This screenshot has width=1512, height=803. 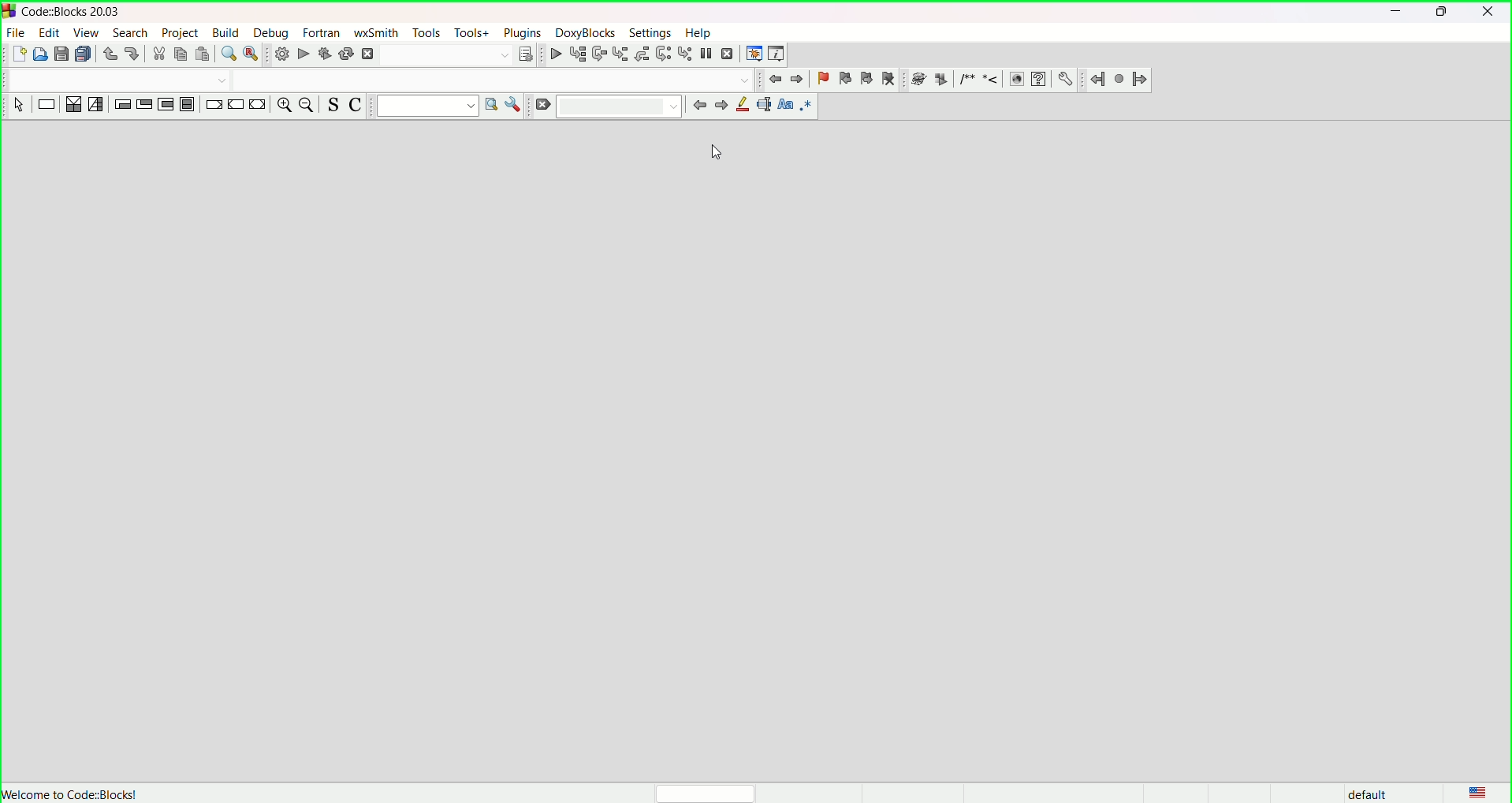 I want to click on clear, so click(x=543, y=104).